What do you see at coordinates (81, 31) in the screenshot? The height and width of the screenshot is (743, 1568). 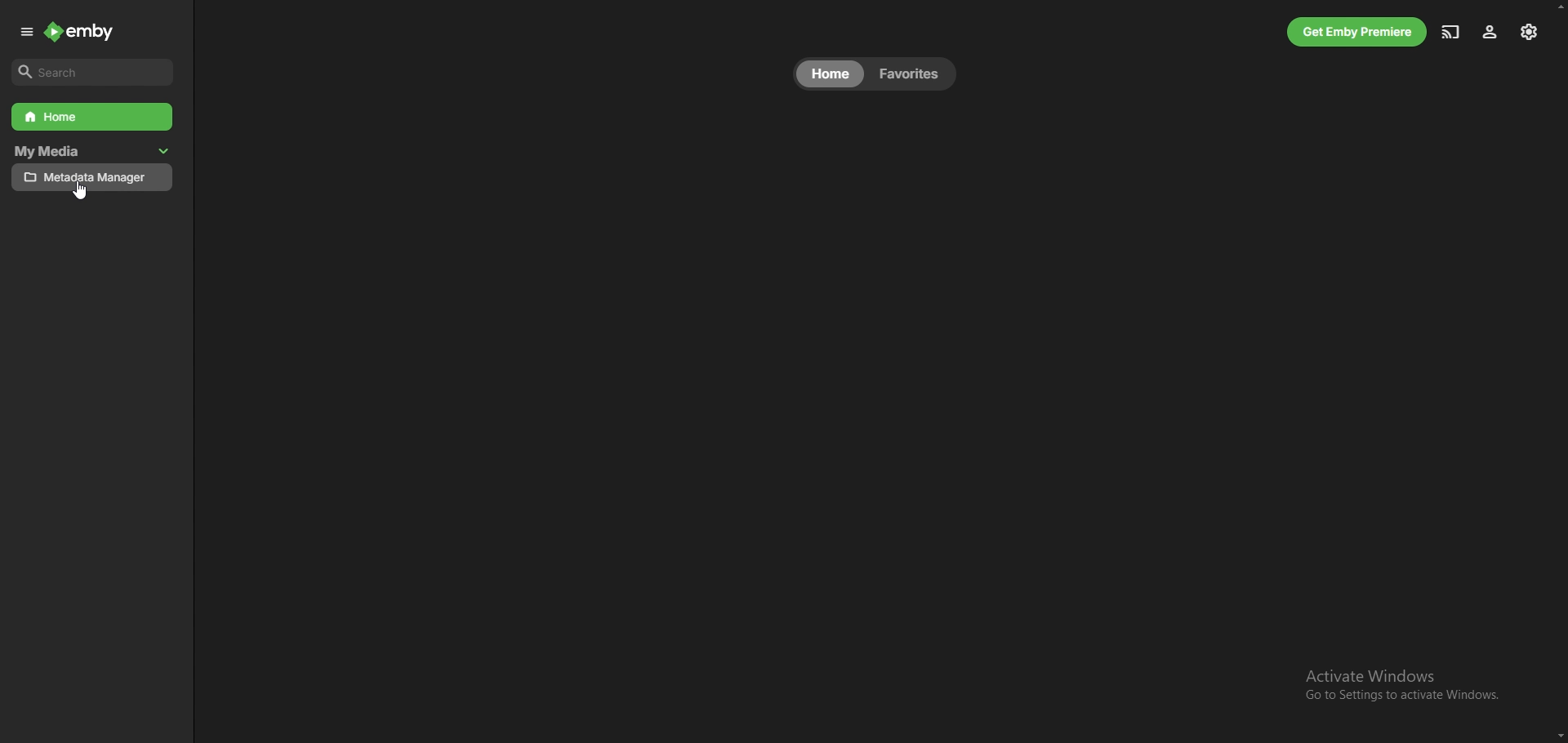 I see `emby` at bounding box center [81, 31].